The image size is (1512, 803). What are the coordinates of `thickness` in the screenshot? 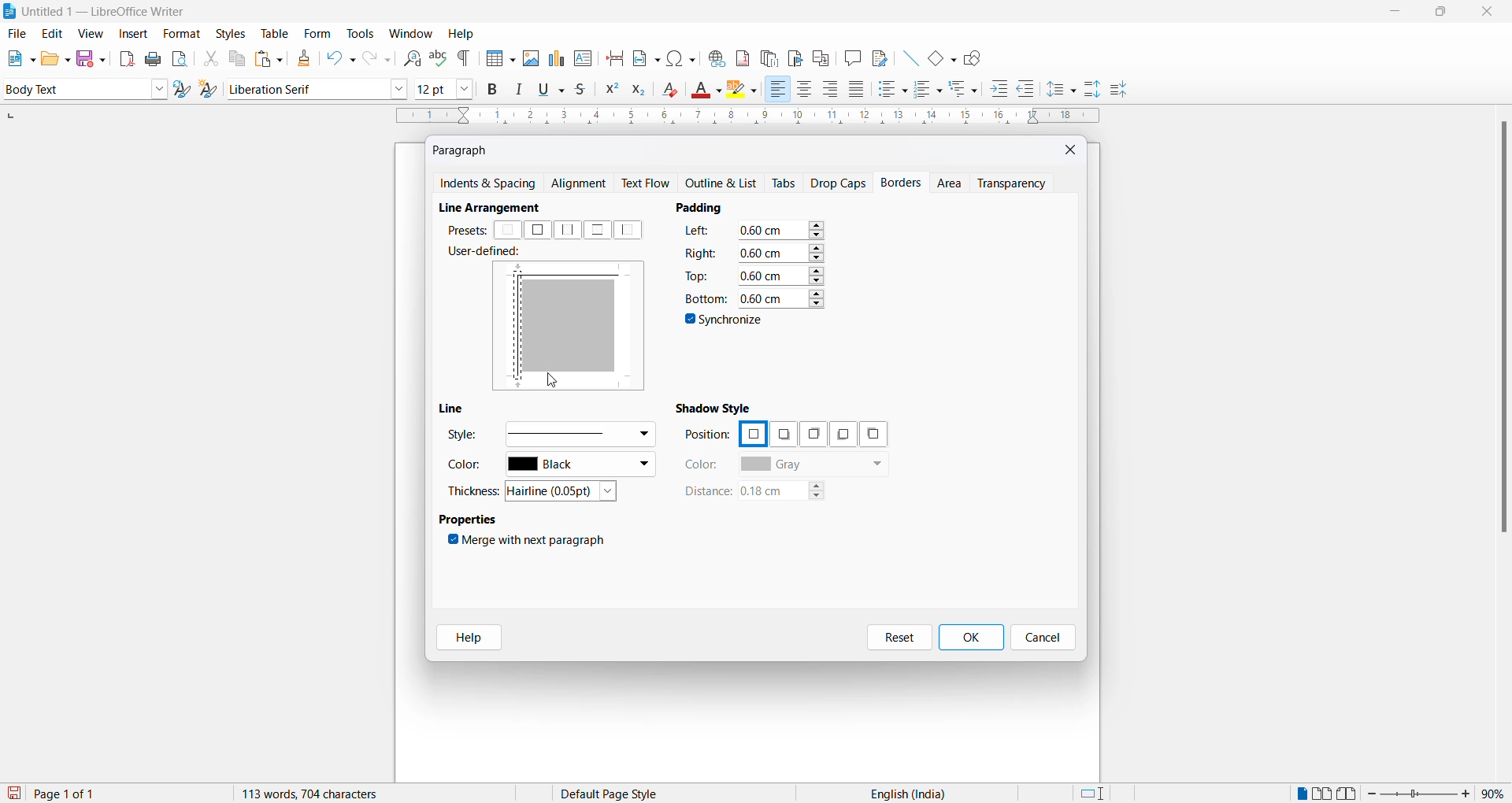 It's located at (476, 490).